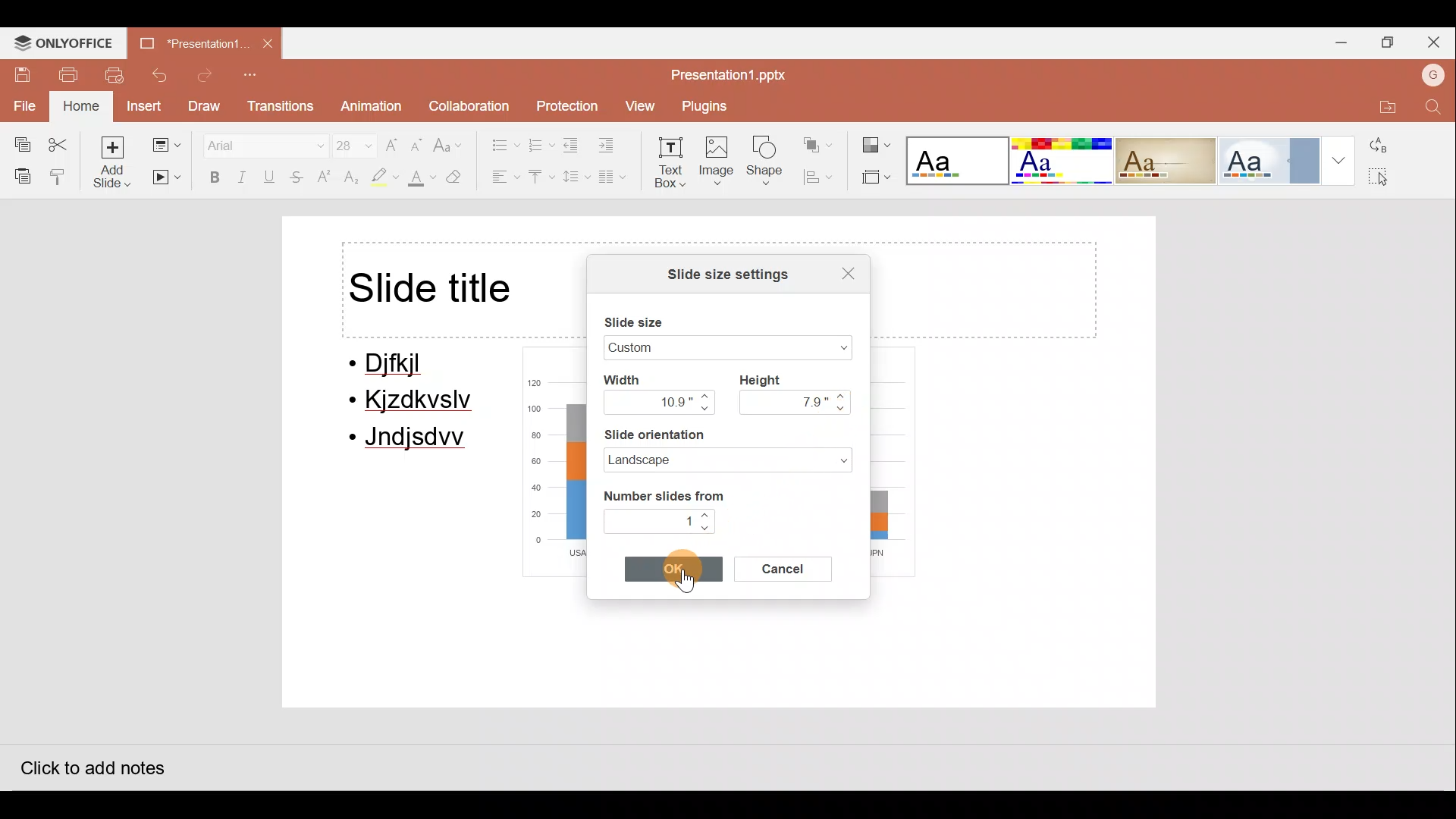 The height and width of the screenshot is (819, 1456). Describe the element at coordinates (823, 349) in the screenshot. I see `Slide size drop down` at that location.